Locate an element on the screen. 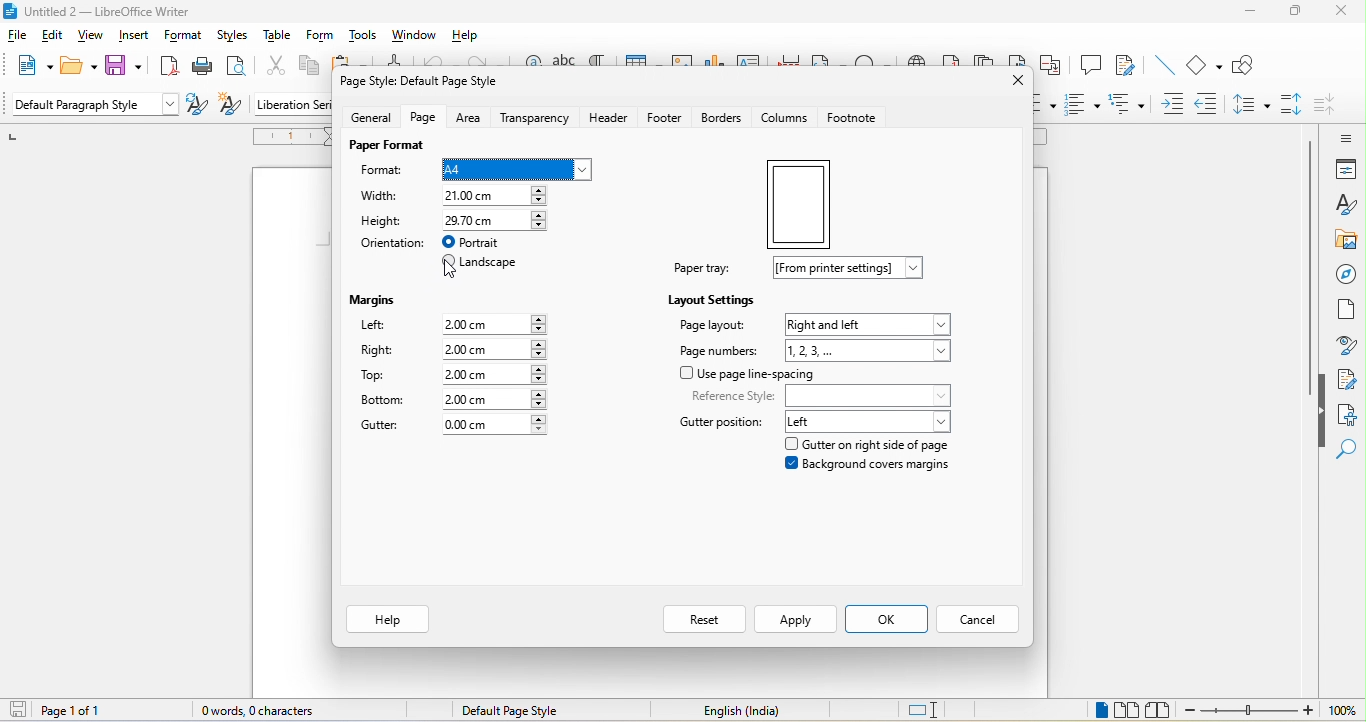 This screenshot has width=1366, height=722. accessibility check  is located at coordinates (1349, 416).